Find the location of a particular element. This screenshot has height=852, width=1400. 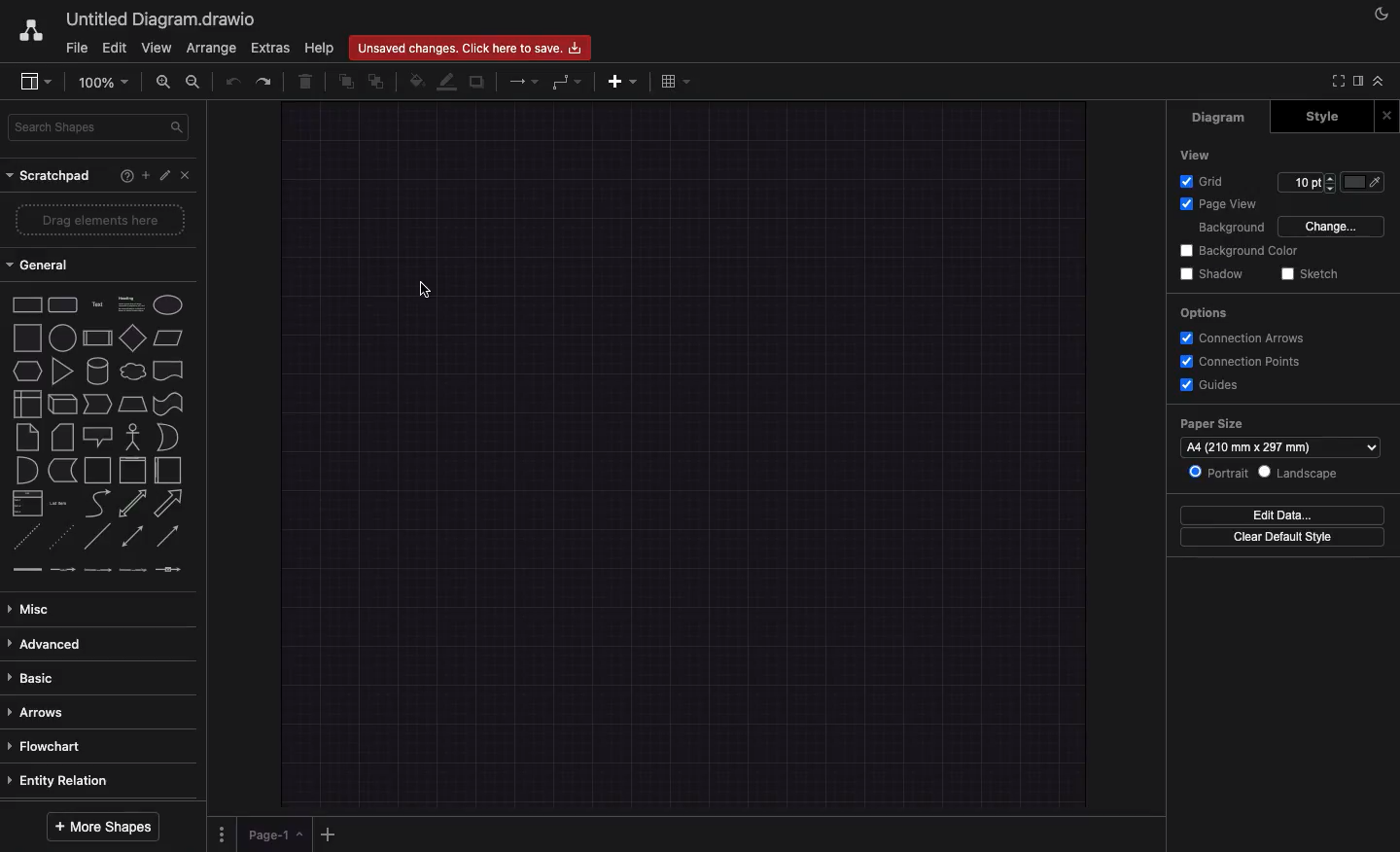

Style is located at coordinates (1327, 116).